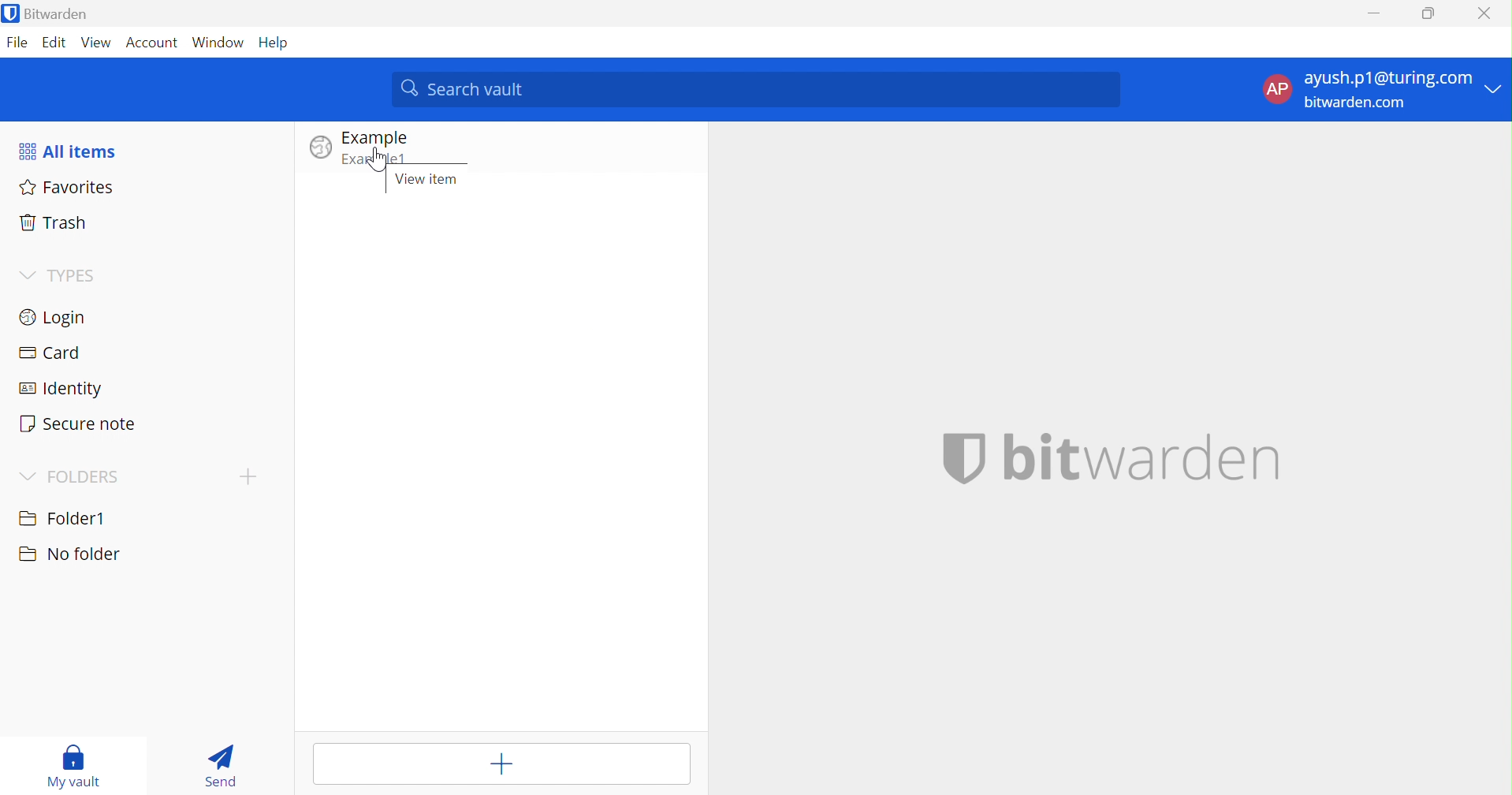 This screenshot has height=795, width=1512. What do you see at coordinates (74, 763) in the screenshot?
I see `My vault` at bounding box center [74, 763].